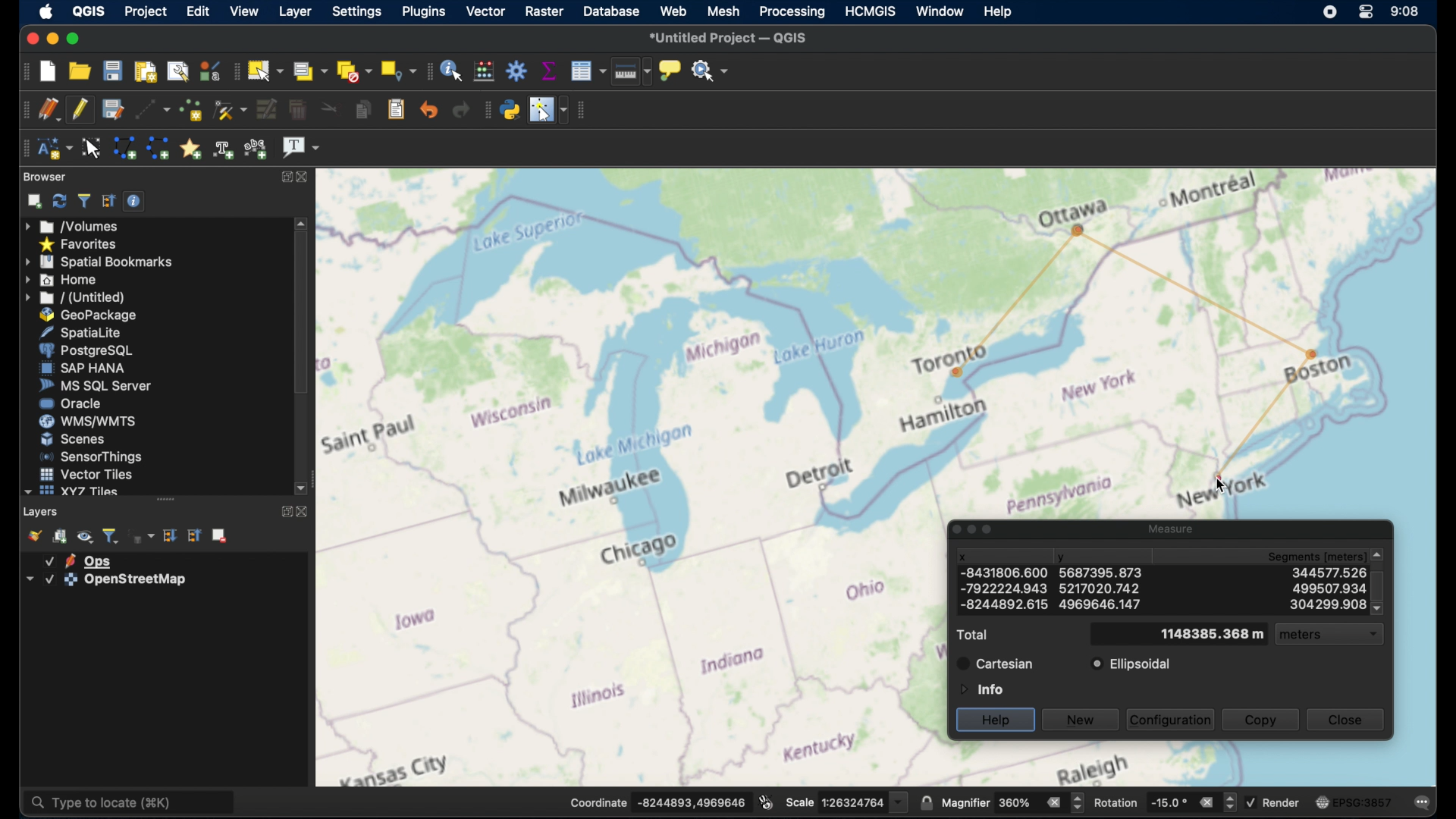 Image resolution: width=1456 pixels, height=819 pixels. I want to click on segments, so click(1328, 587).